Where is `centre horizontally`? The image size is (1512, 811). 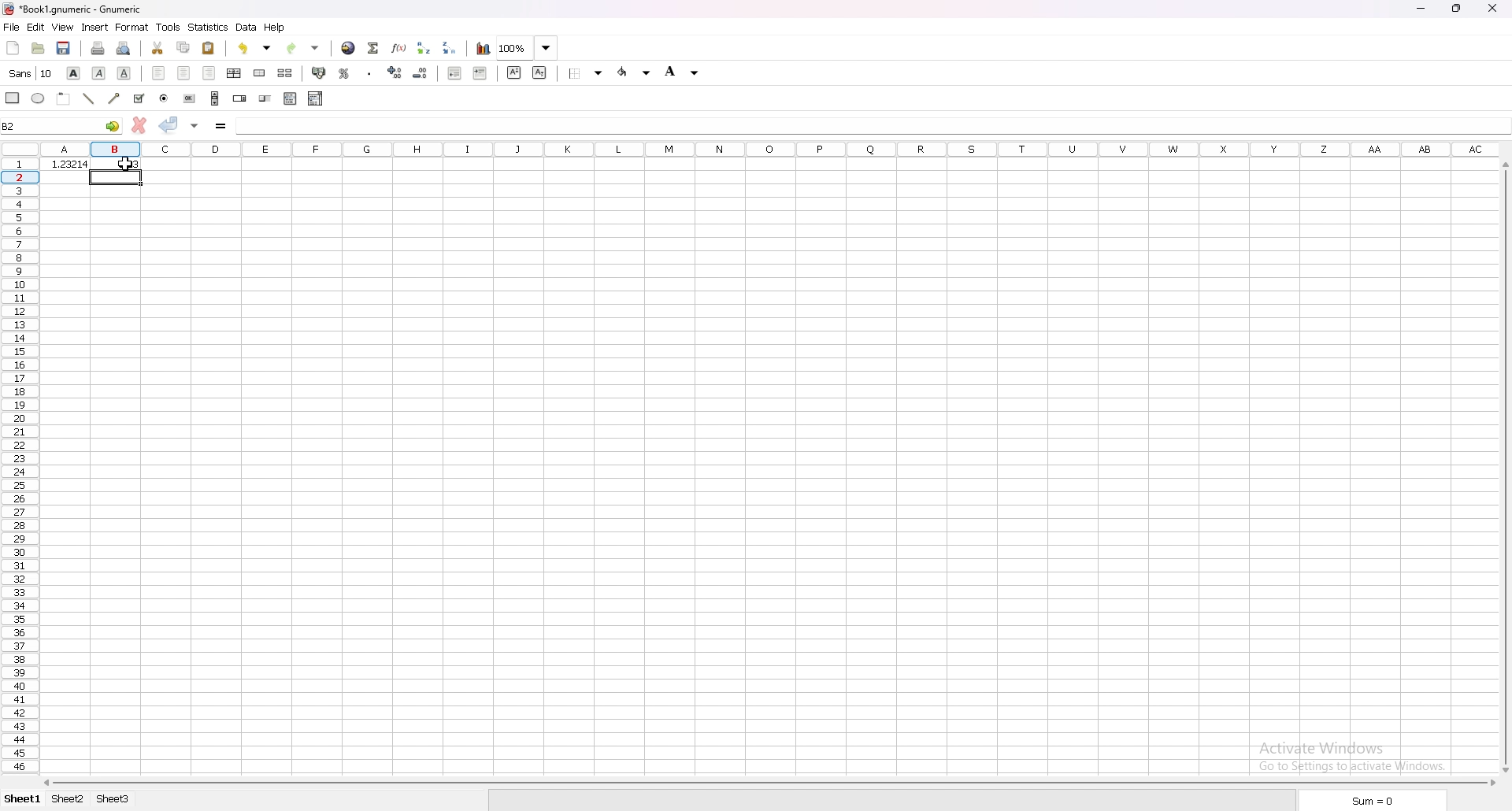
centre horizontally is located at coordinates (235, 73).